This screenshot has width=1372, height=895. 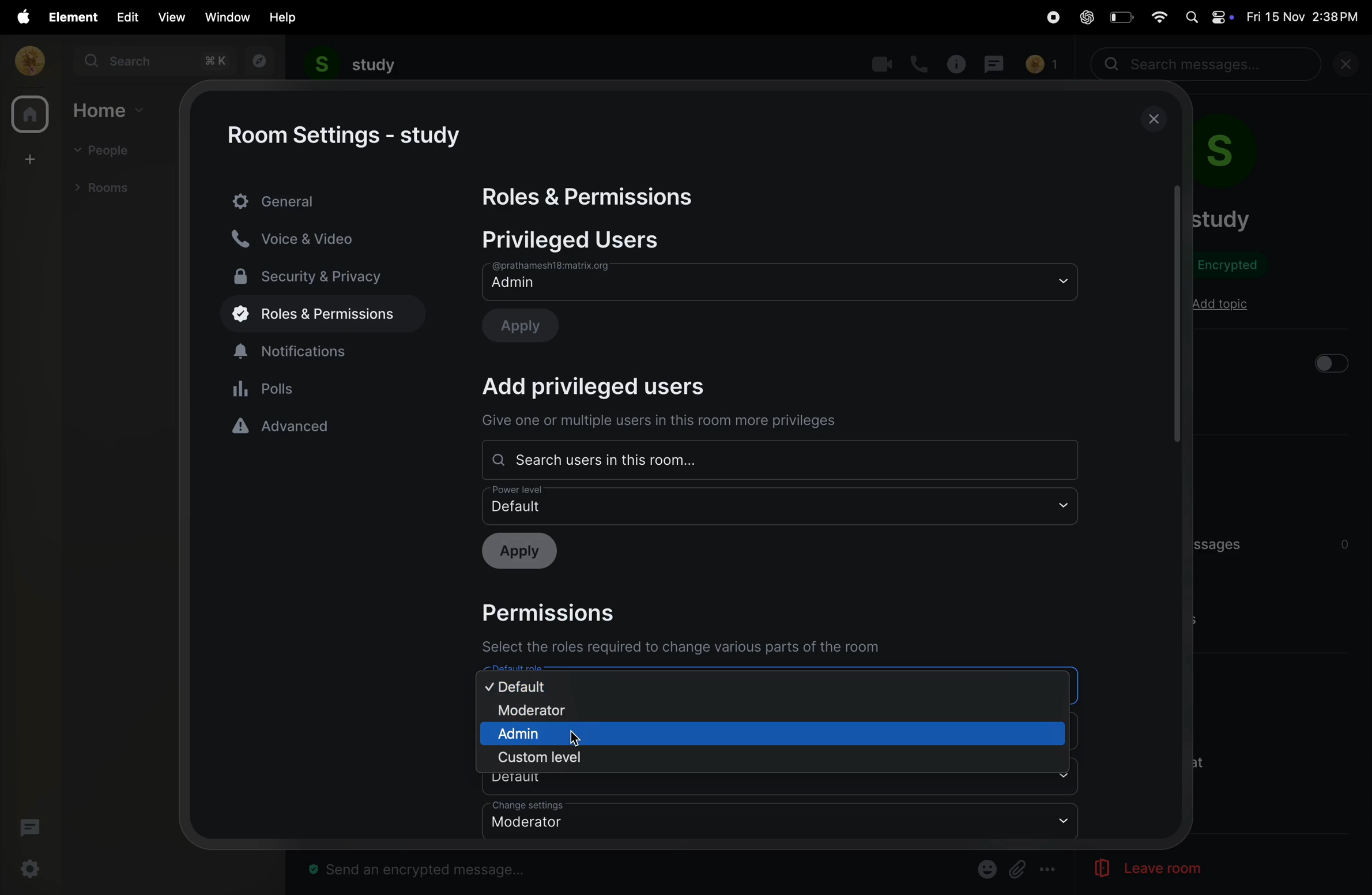 What do you see at coordinates (545, 734) in the screenshot?
I see `admin` at bounding box center [545, 734].